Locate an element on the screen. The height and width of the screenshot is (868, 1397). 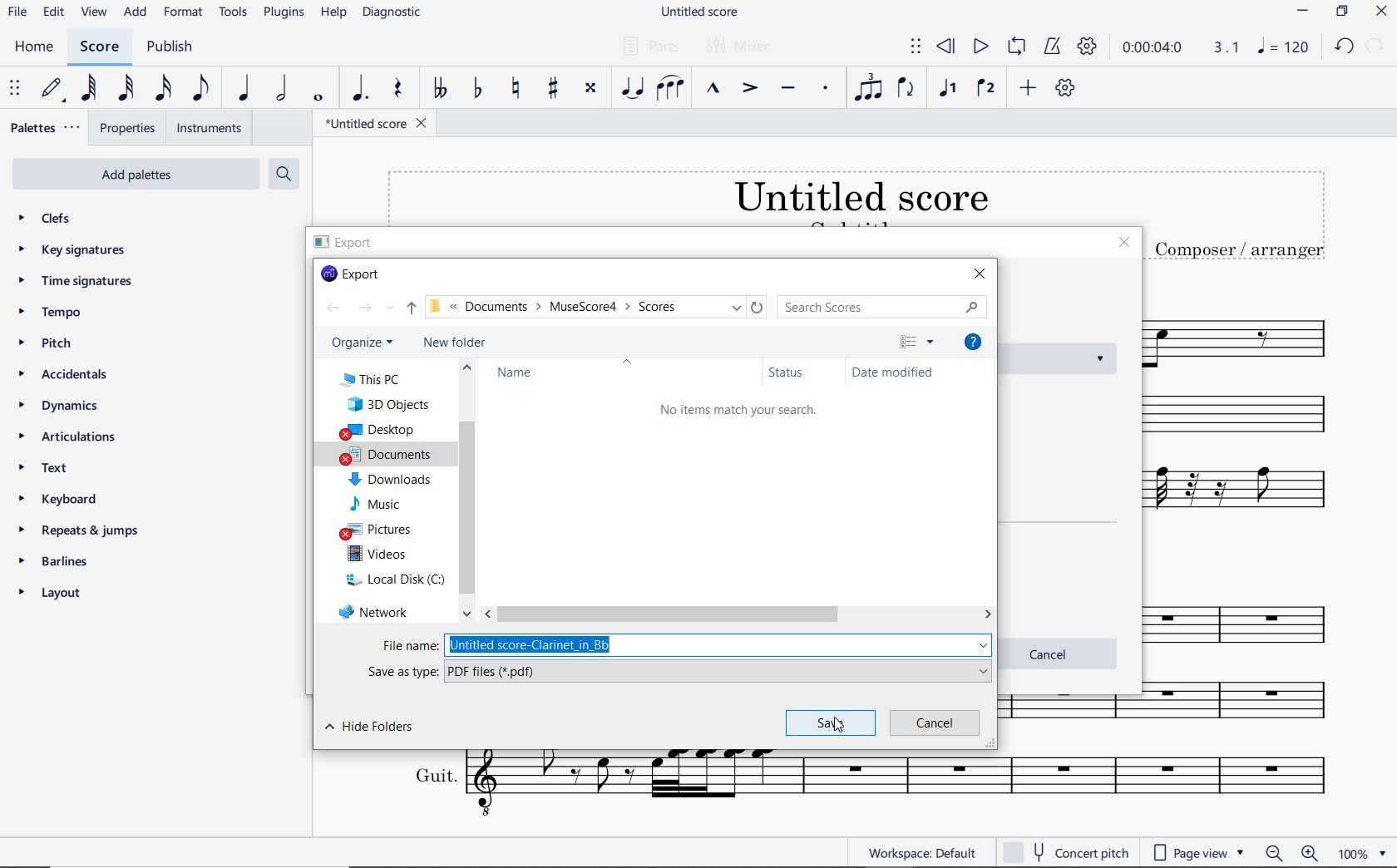
SLUR is located at coordinates (669, 86).